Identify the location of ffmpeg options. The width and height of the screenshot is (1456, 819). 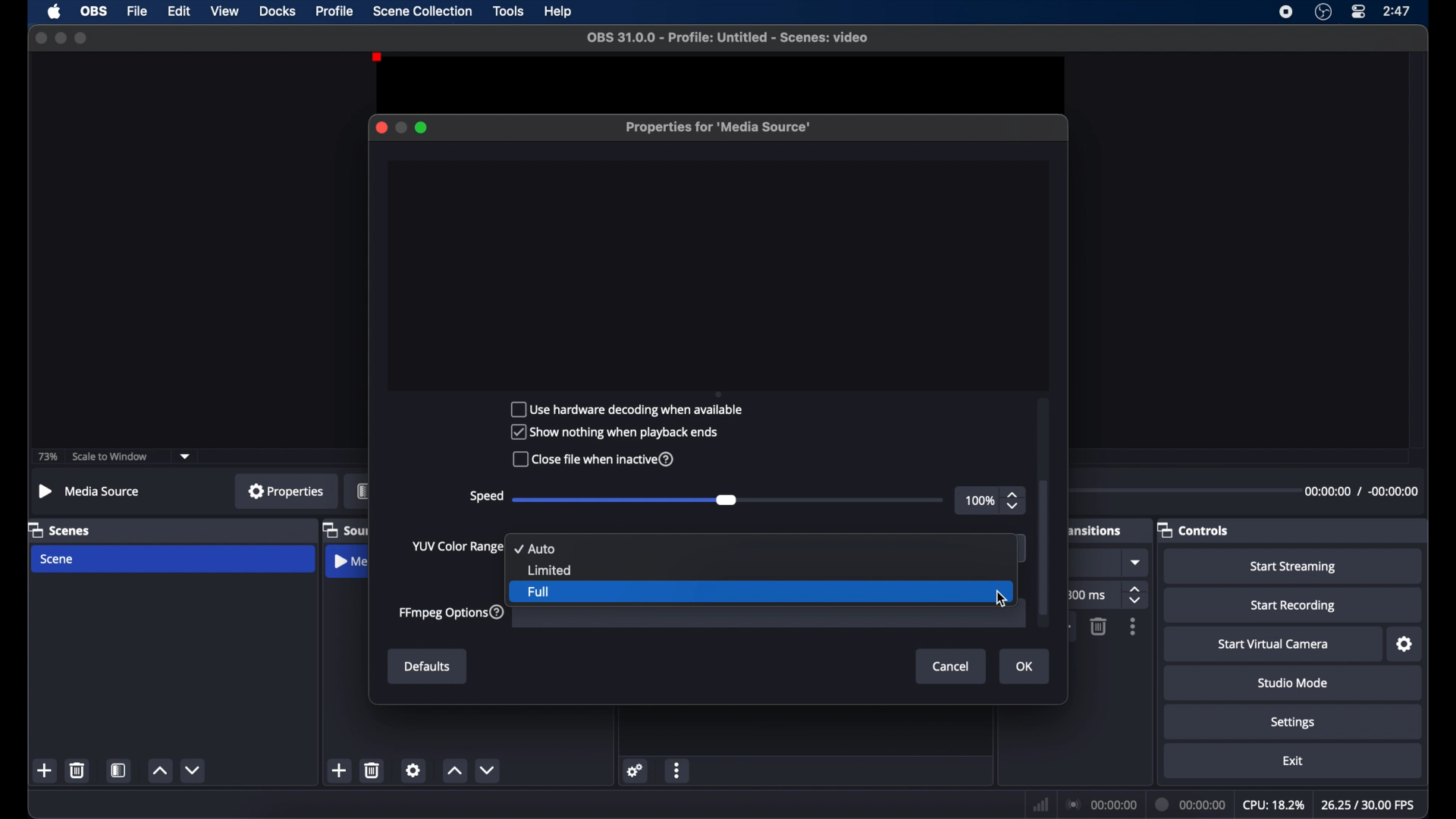
(453, 613).